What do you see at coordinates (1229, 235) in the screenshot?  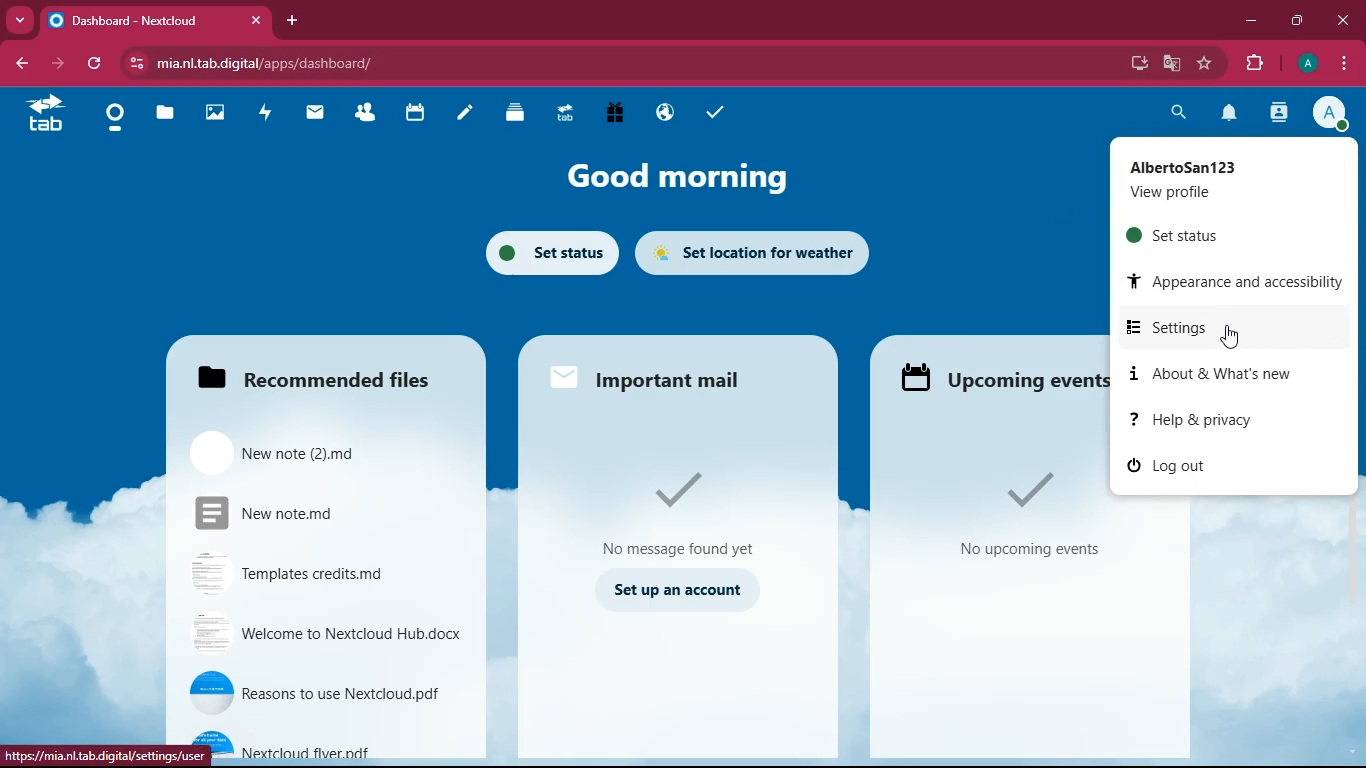 I see `set status` at bounding box center [1229, 235].